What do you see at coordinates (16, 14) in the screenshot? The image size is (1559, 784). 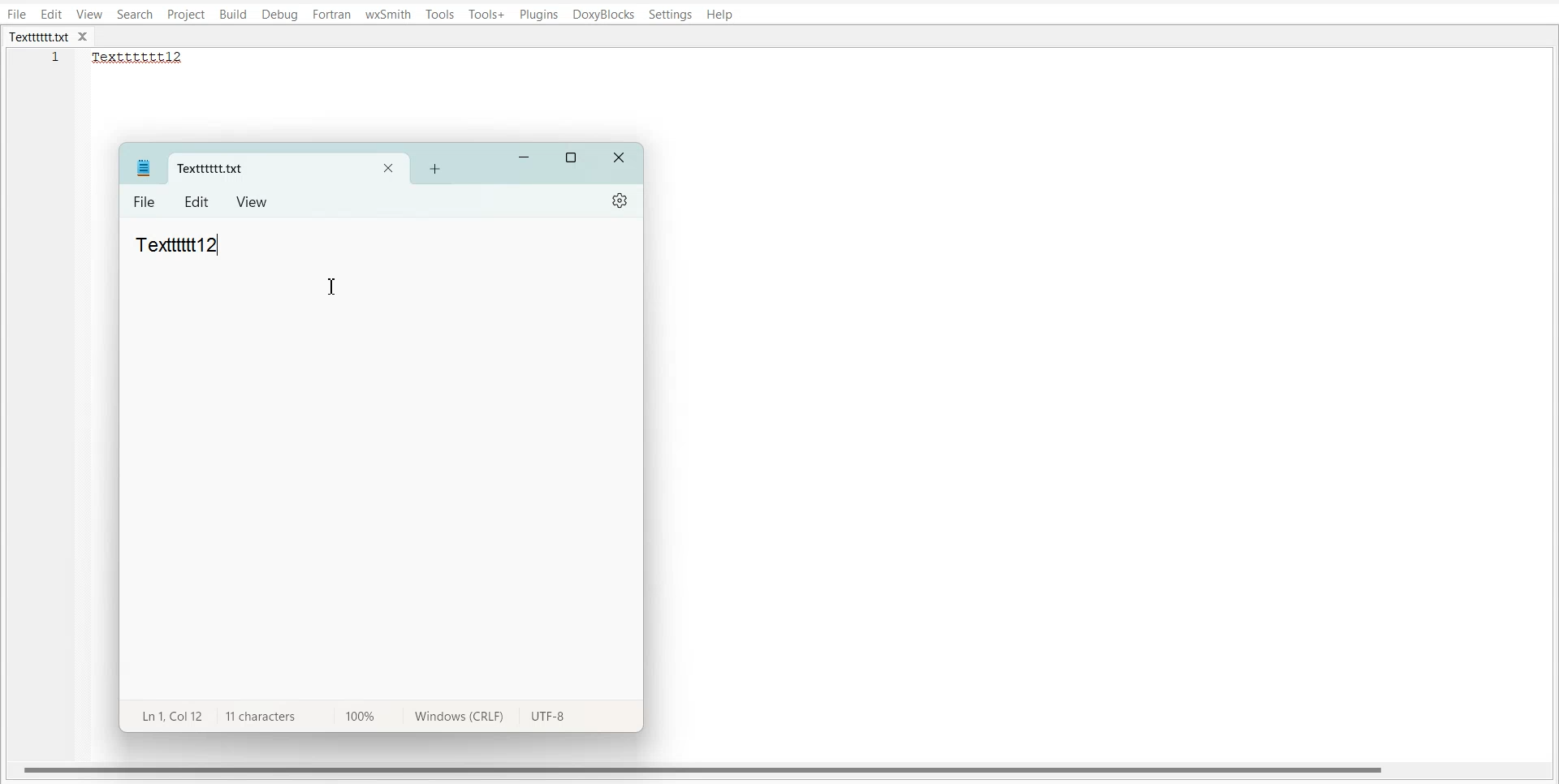 I see `File` at bounding box center [16, 14].